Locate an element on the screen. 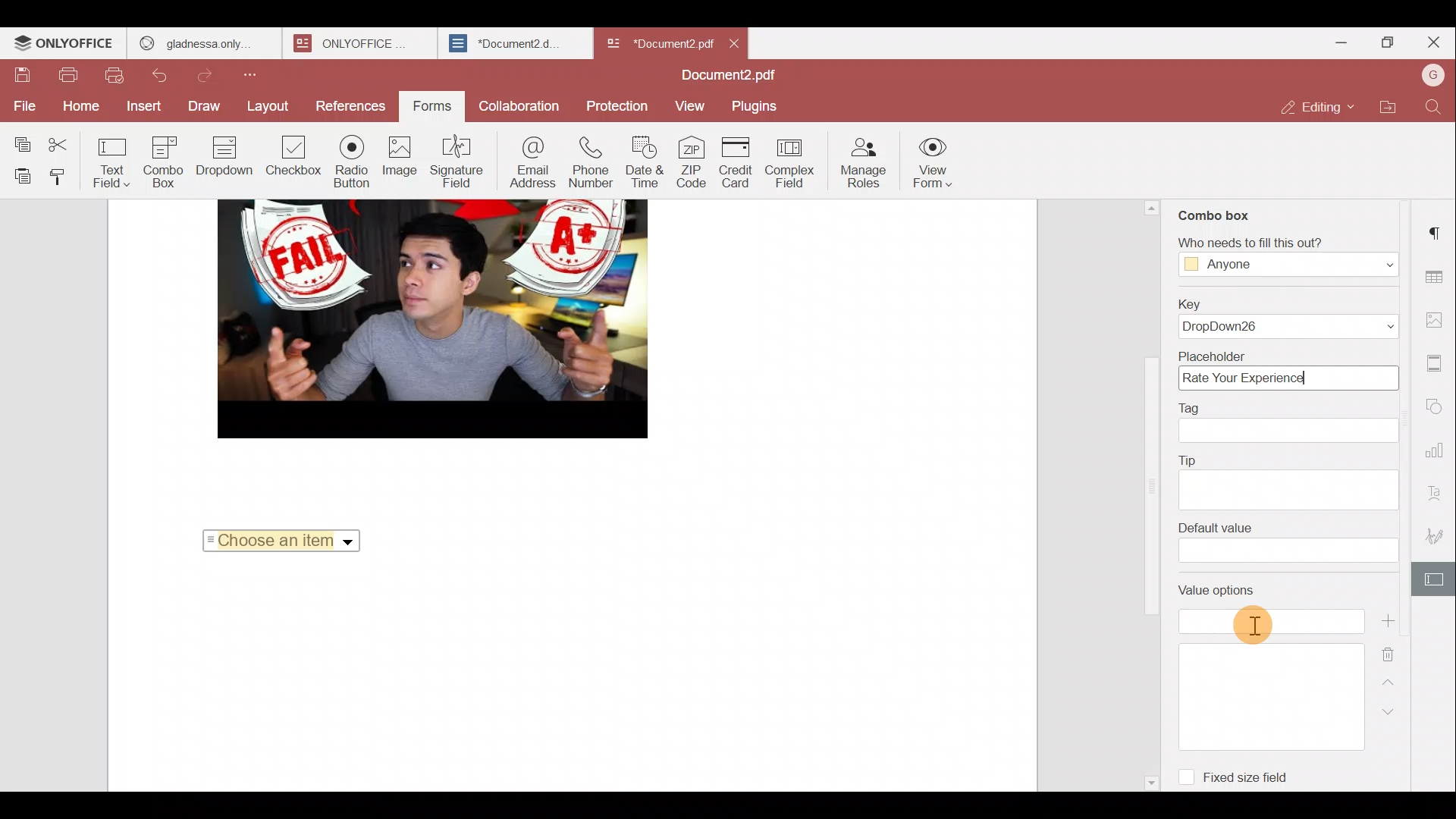 This screenshot has height=819, width=1456. Close is located at coordinates (736, 41).